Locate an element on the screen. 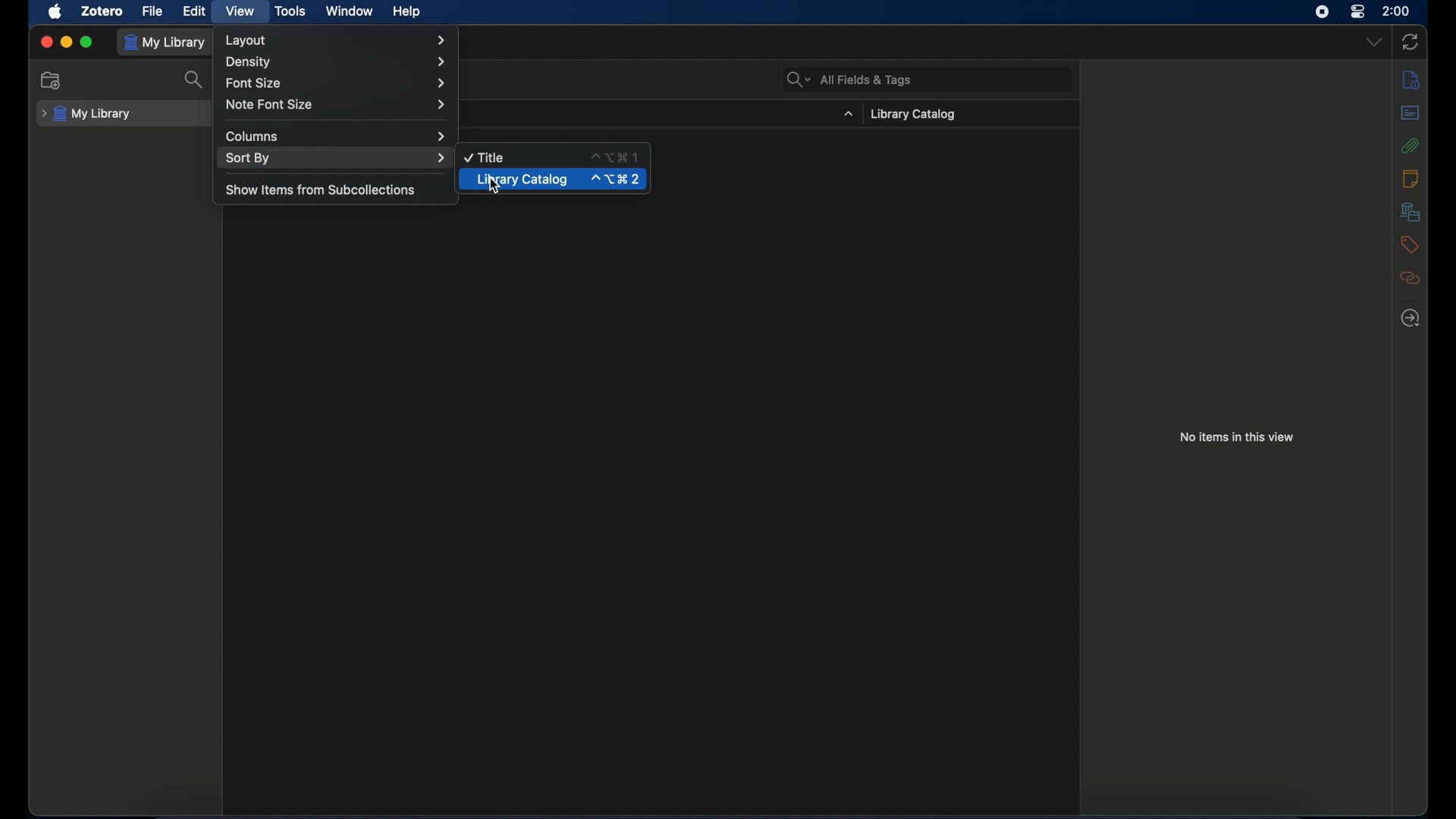 This screenshot has height=819, width=1456. columns is located at coordinates (336, 137).